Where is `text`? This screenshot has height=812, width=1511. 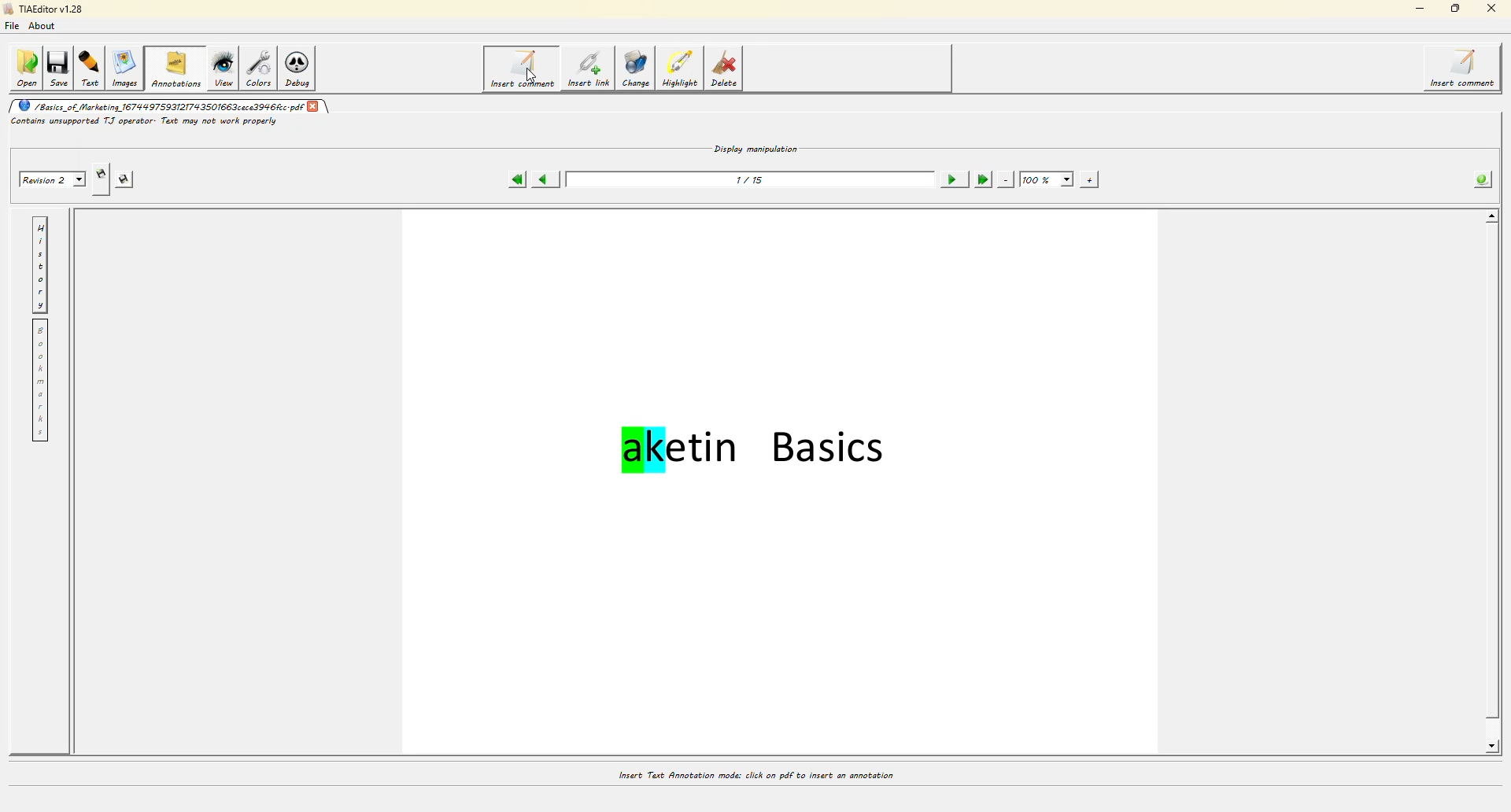
text is located at coordinates (93, 68).